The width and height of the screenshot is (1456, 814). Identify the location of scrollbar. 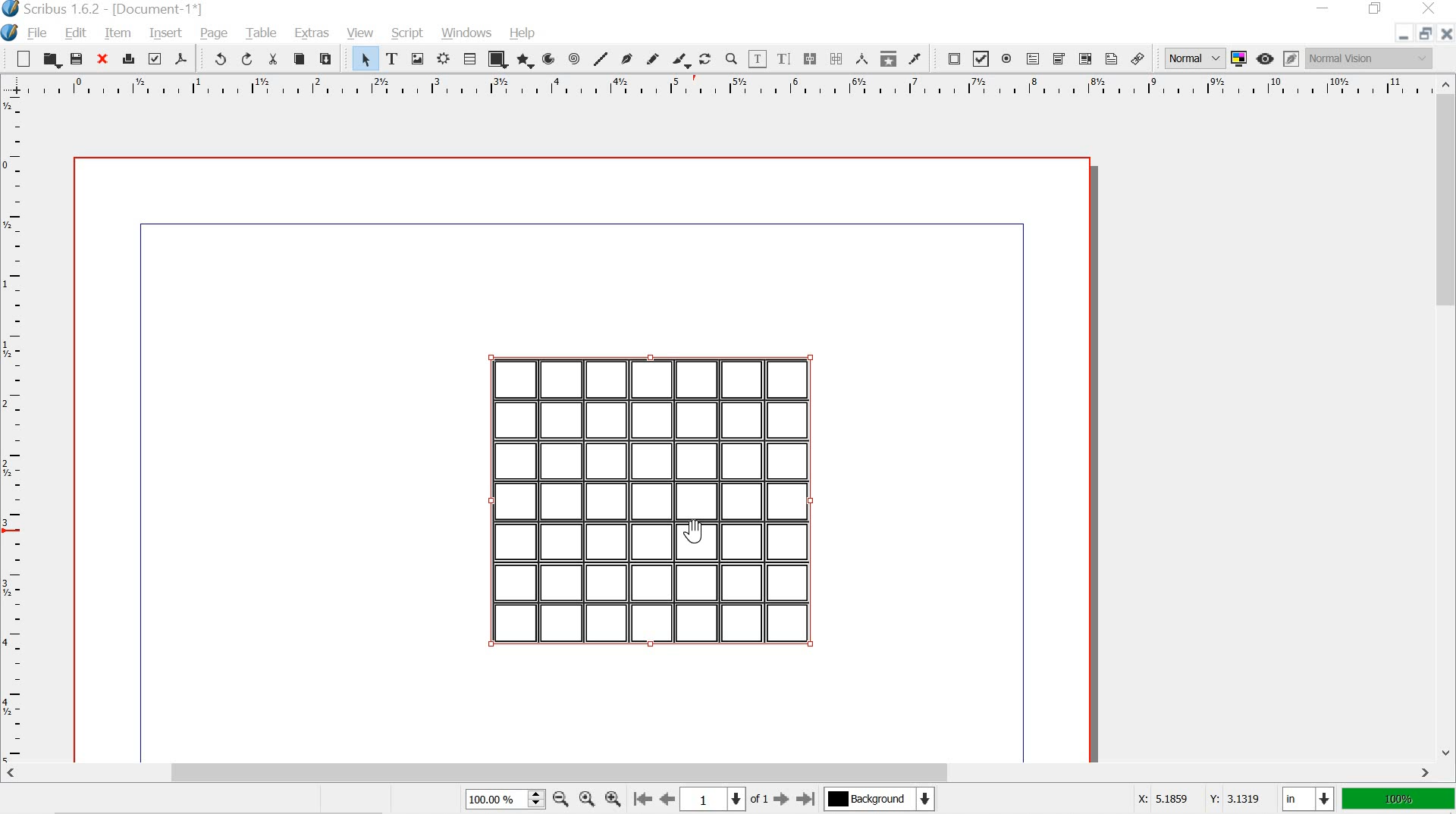
(1447, 416).